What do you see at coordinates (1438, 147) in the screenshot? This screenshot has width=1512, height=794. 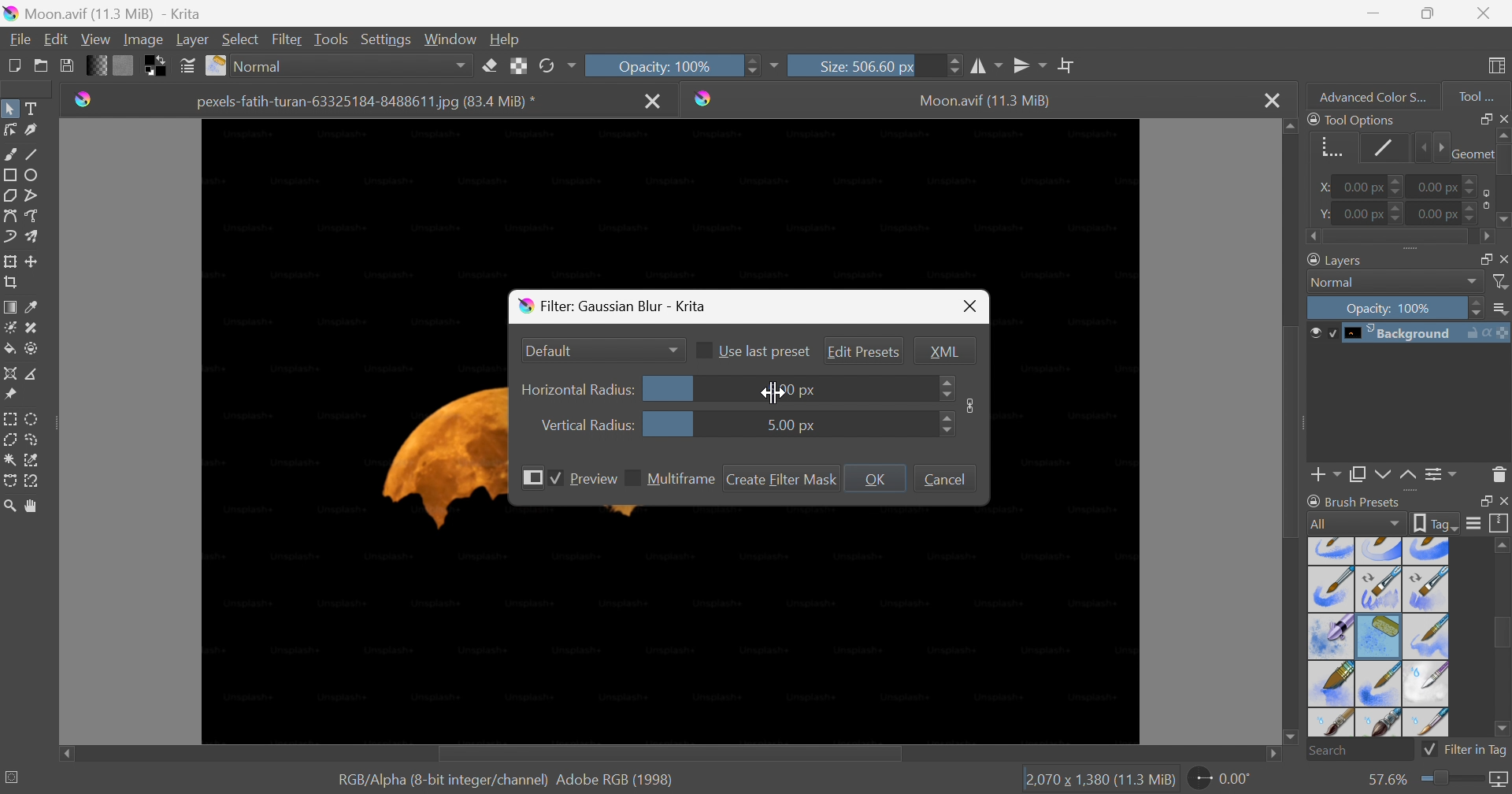 I see `Next` at bounding box center [1438, 147].